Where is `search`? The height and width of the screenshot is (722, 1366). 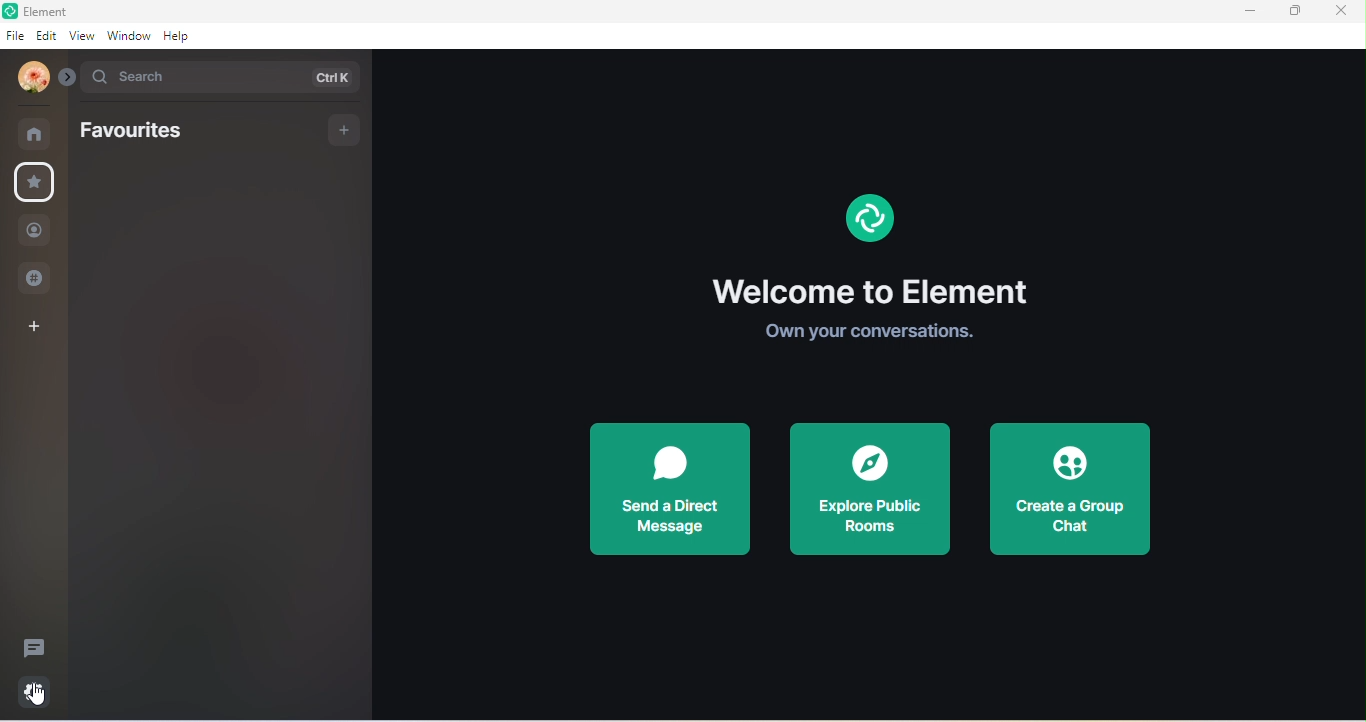 search is located at coordinates (225, 78).